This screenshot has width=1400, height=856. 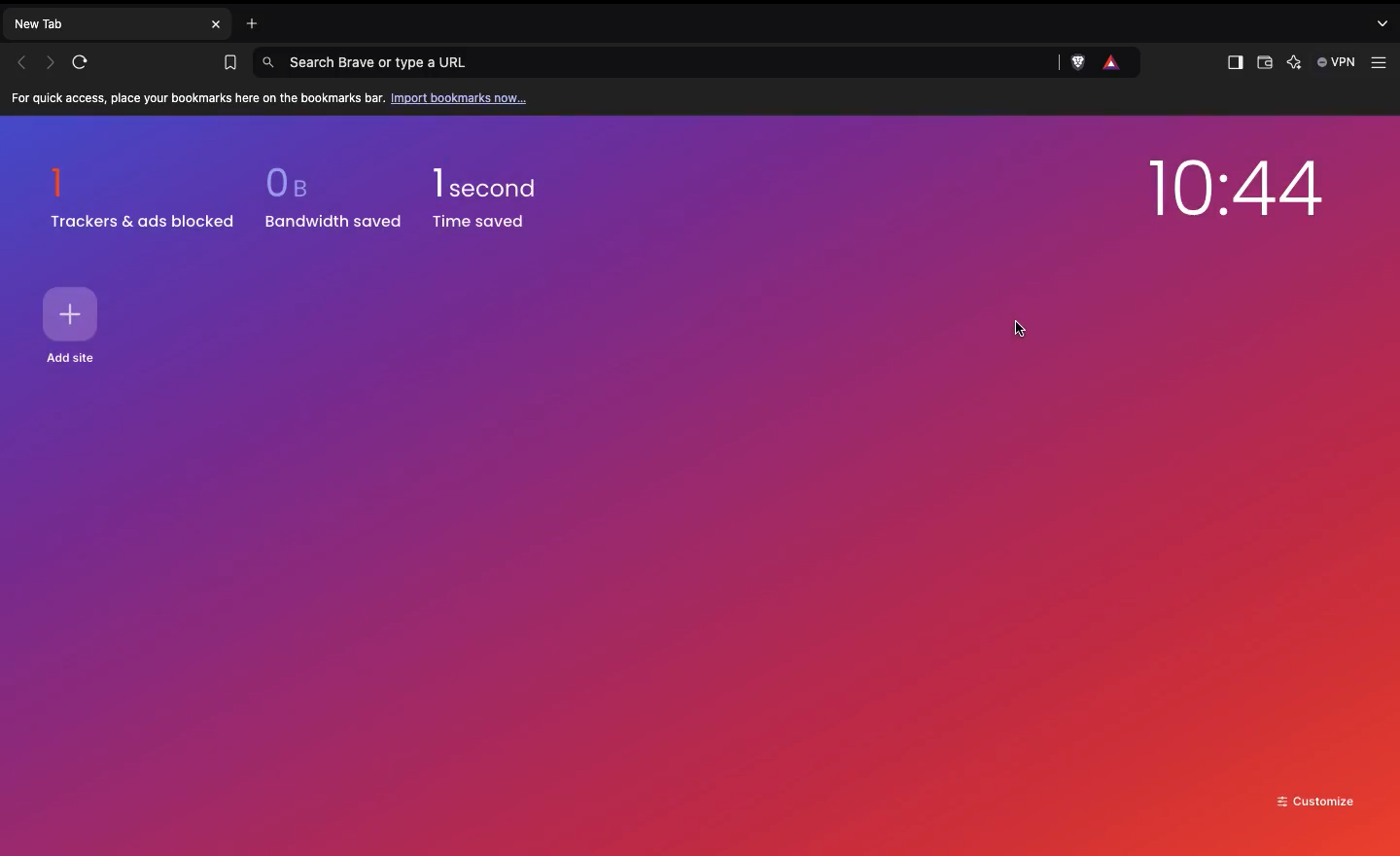 I want to click on Leo AI, so click(x=1293, y=64).